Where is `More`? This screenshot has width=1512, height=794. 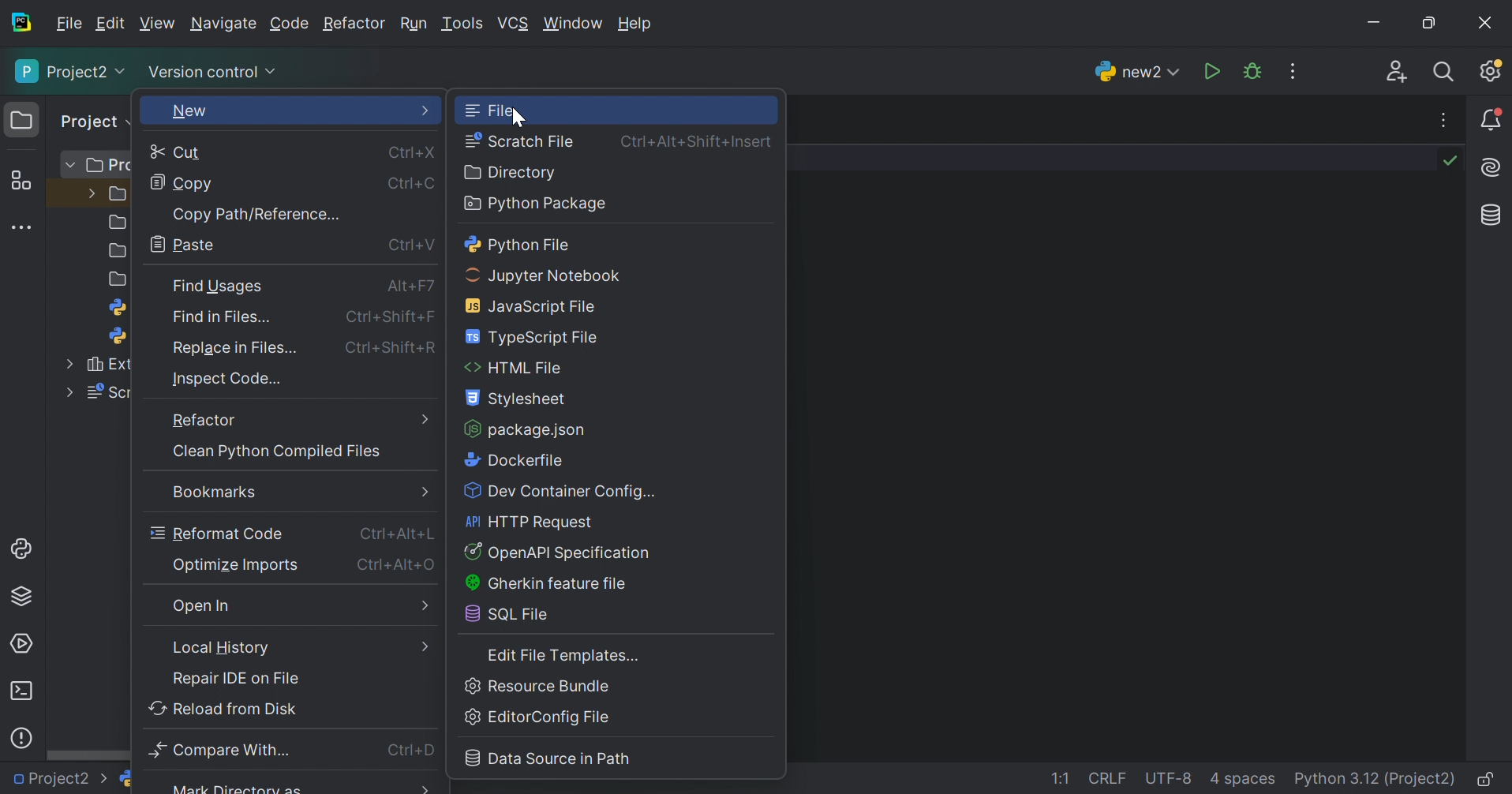 More is located at coordinates (428, 607).